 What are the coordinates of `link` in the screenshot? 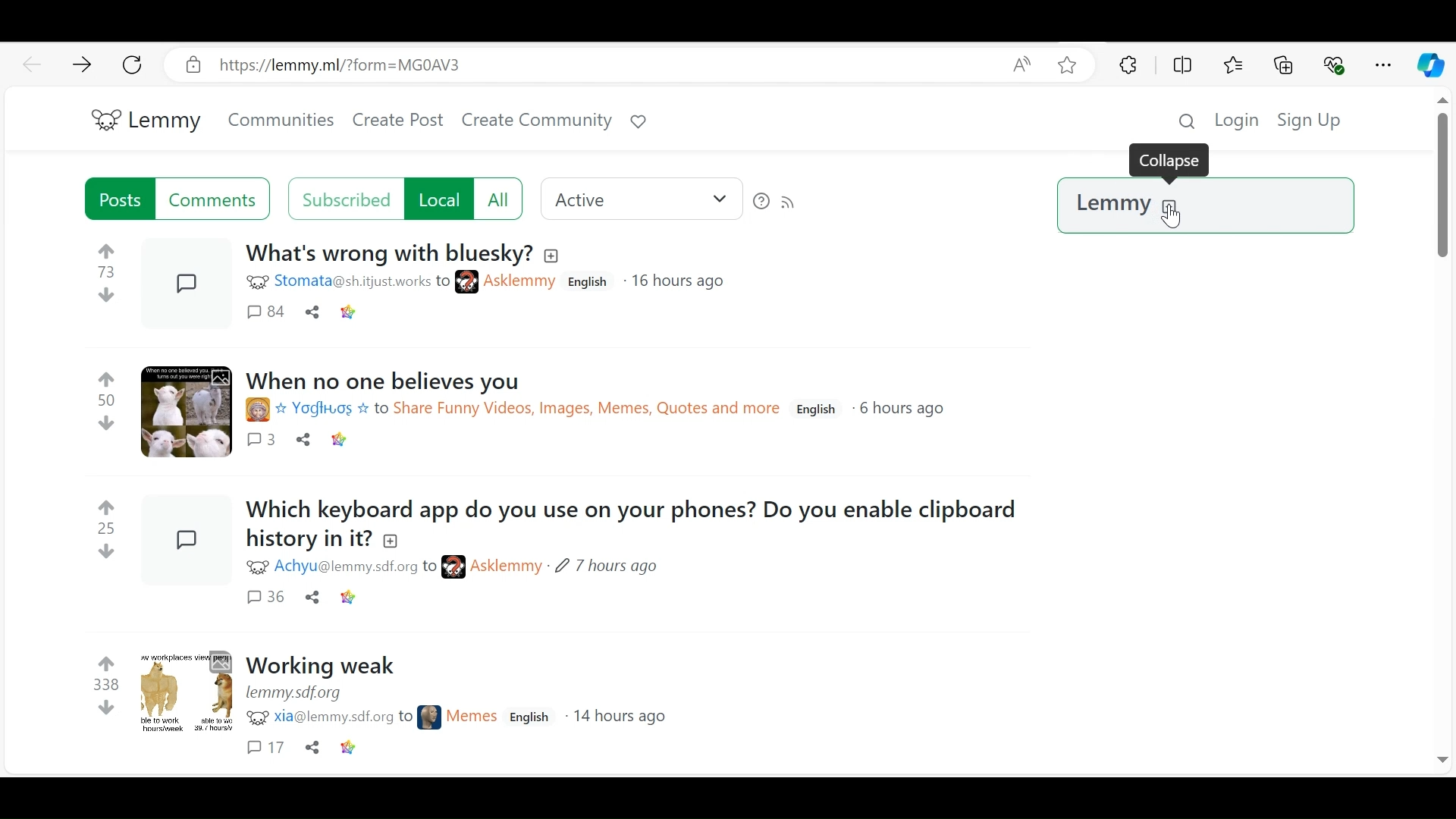 It's located at (349, 600).